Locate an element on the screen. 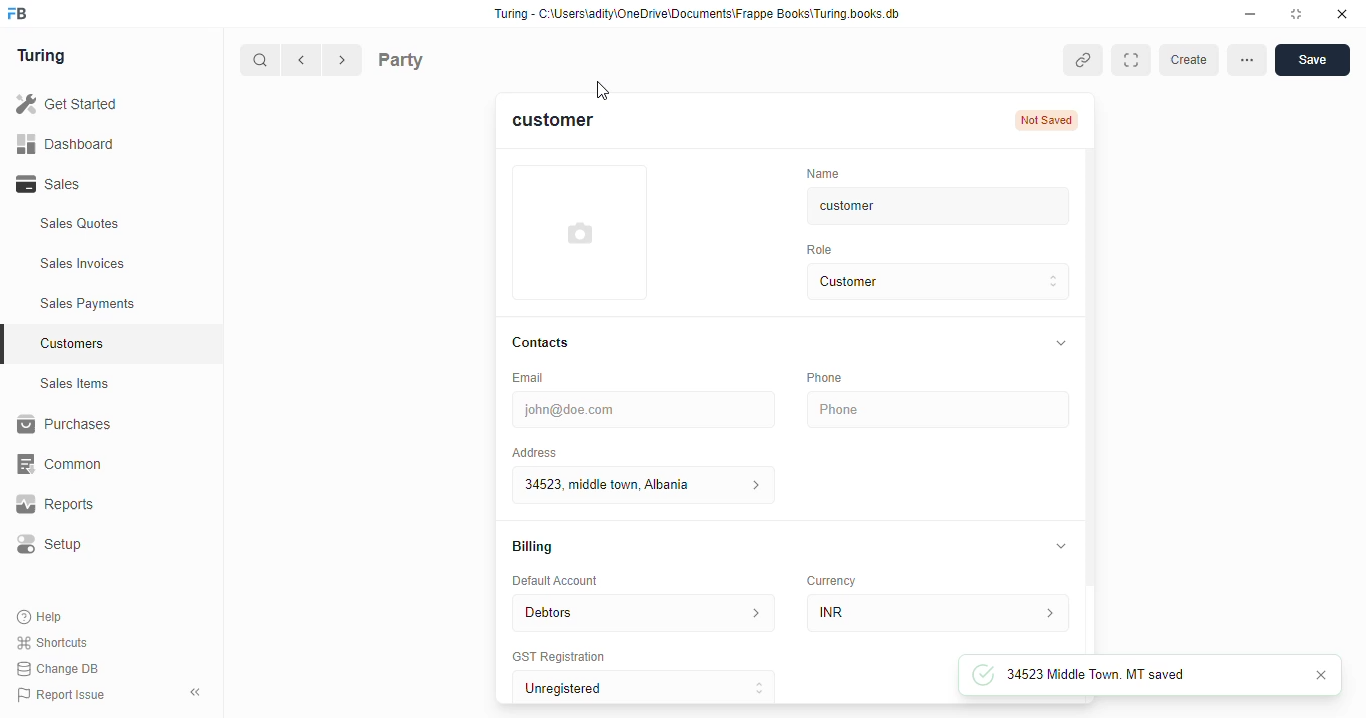  Address is located at coordinates (534, 450).